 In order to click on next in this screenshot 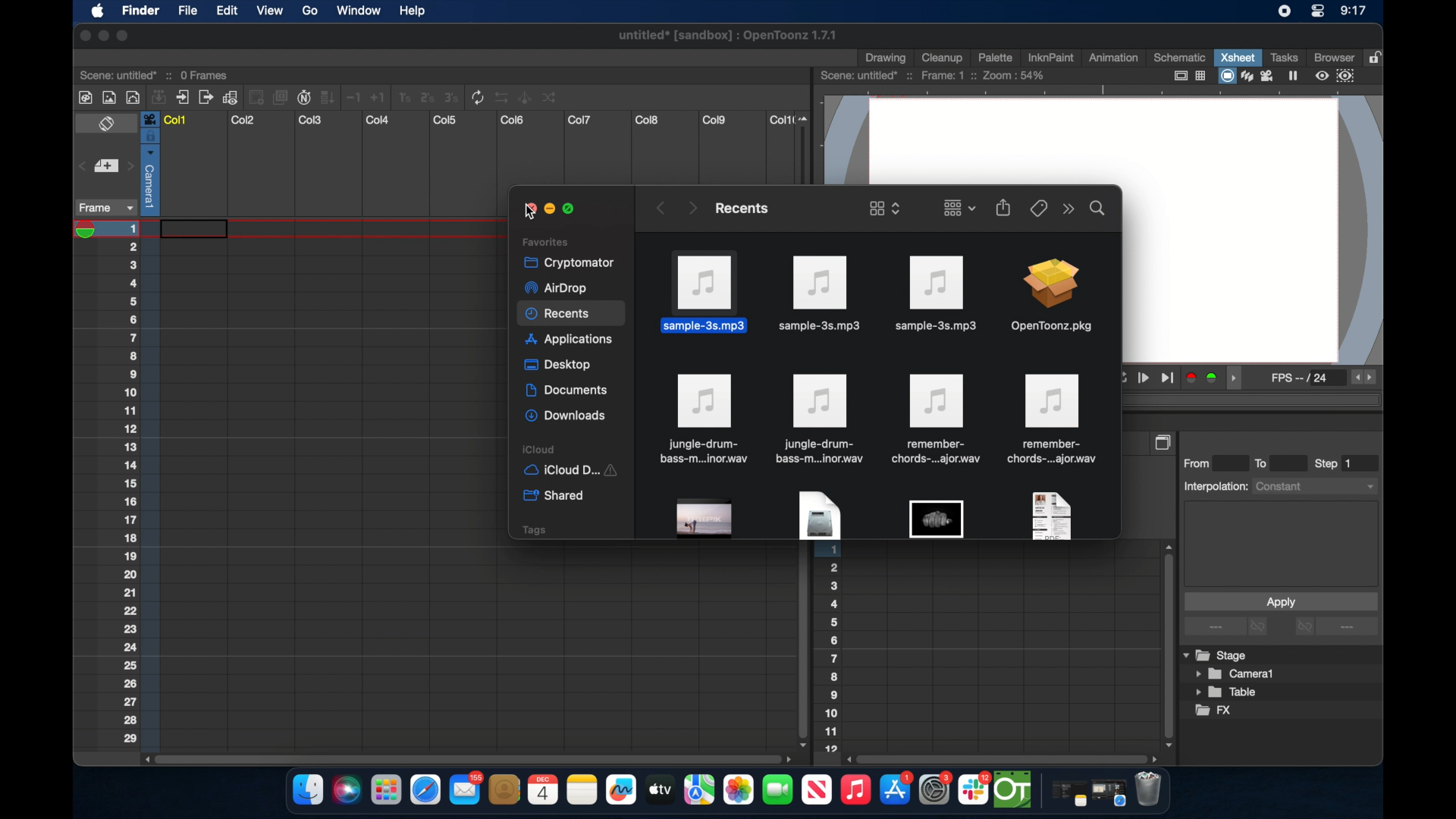, I will do `click(692, 207)`.